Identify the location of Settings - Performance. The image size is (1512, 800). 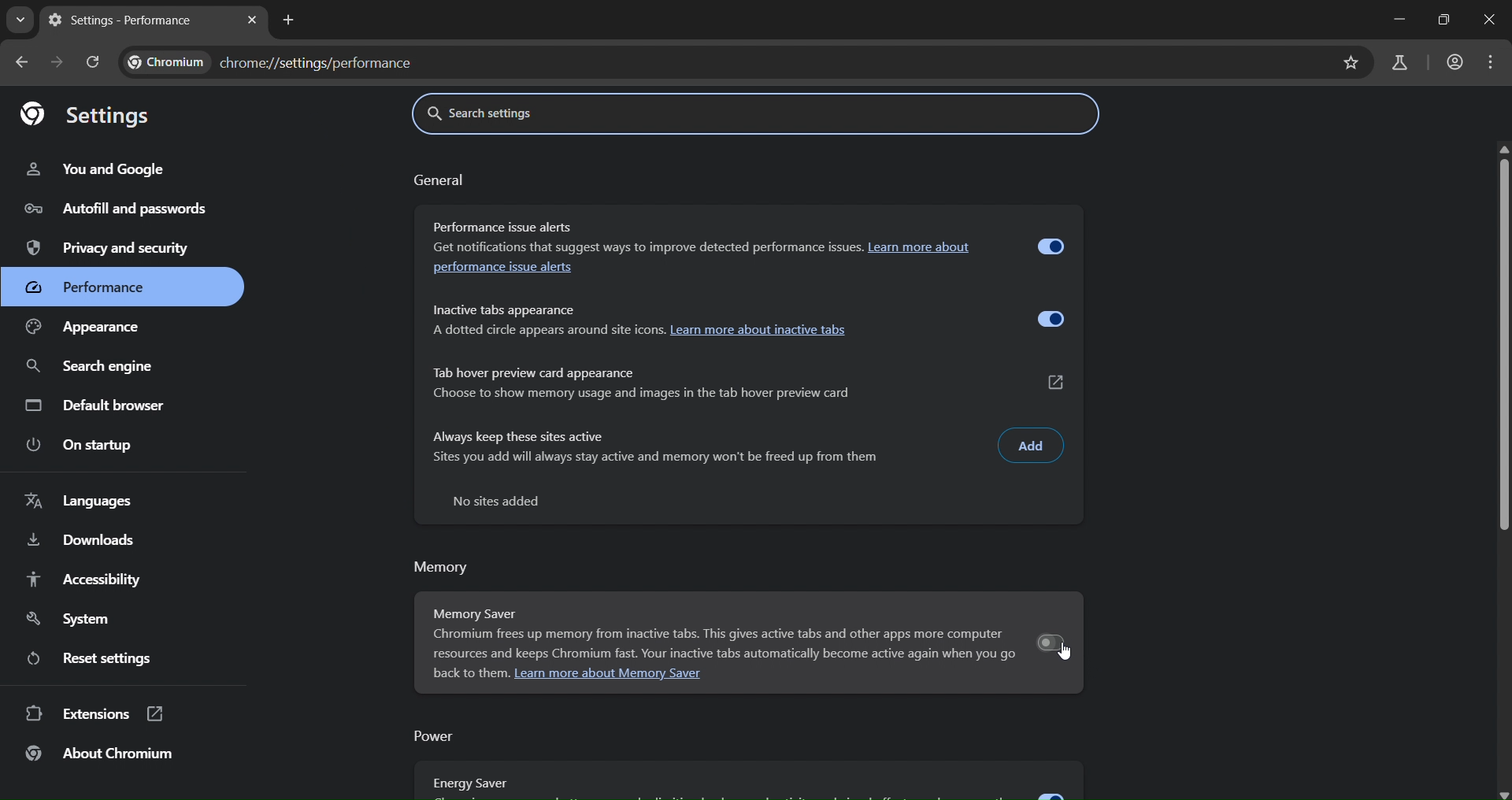
(133, 20).